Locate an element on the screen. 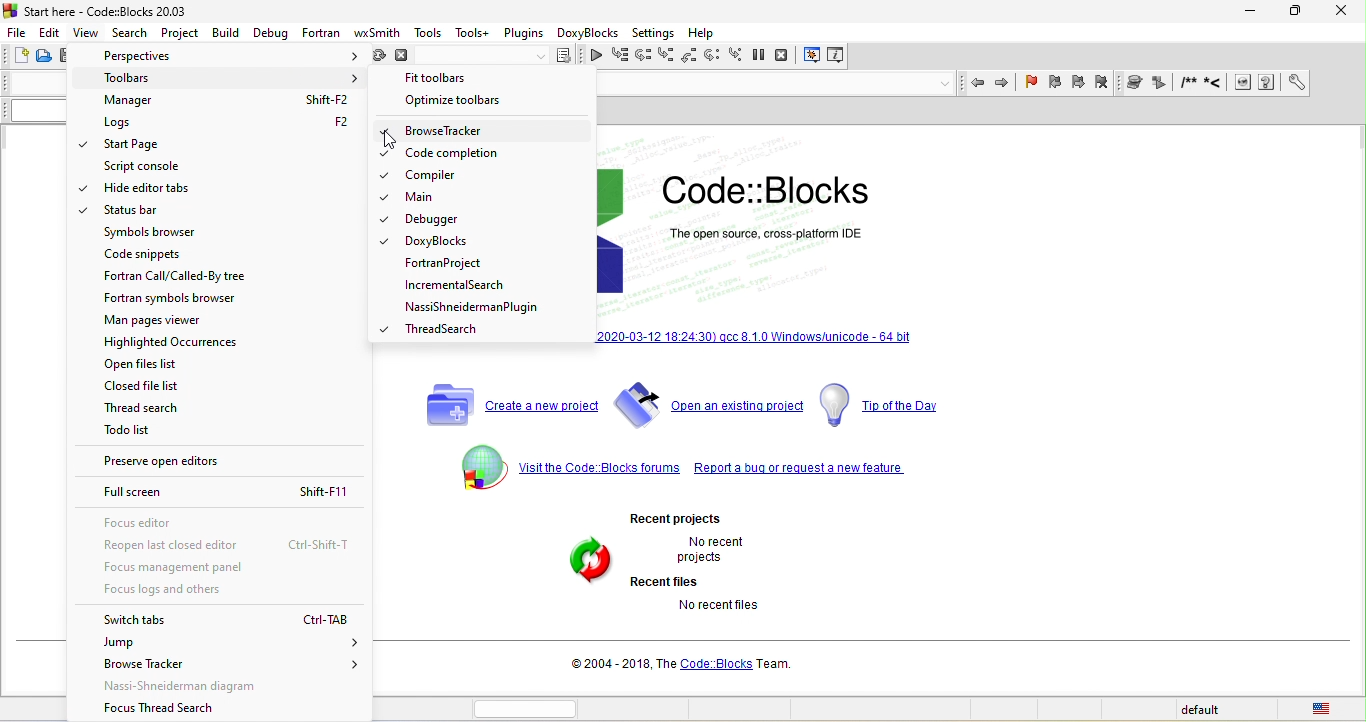 The width and height of the screenshot is (1366, 722). incremental search is located at coordinates (457, 289).